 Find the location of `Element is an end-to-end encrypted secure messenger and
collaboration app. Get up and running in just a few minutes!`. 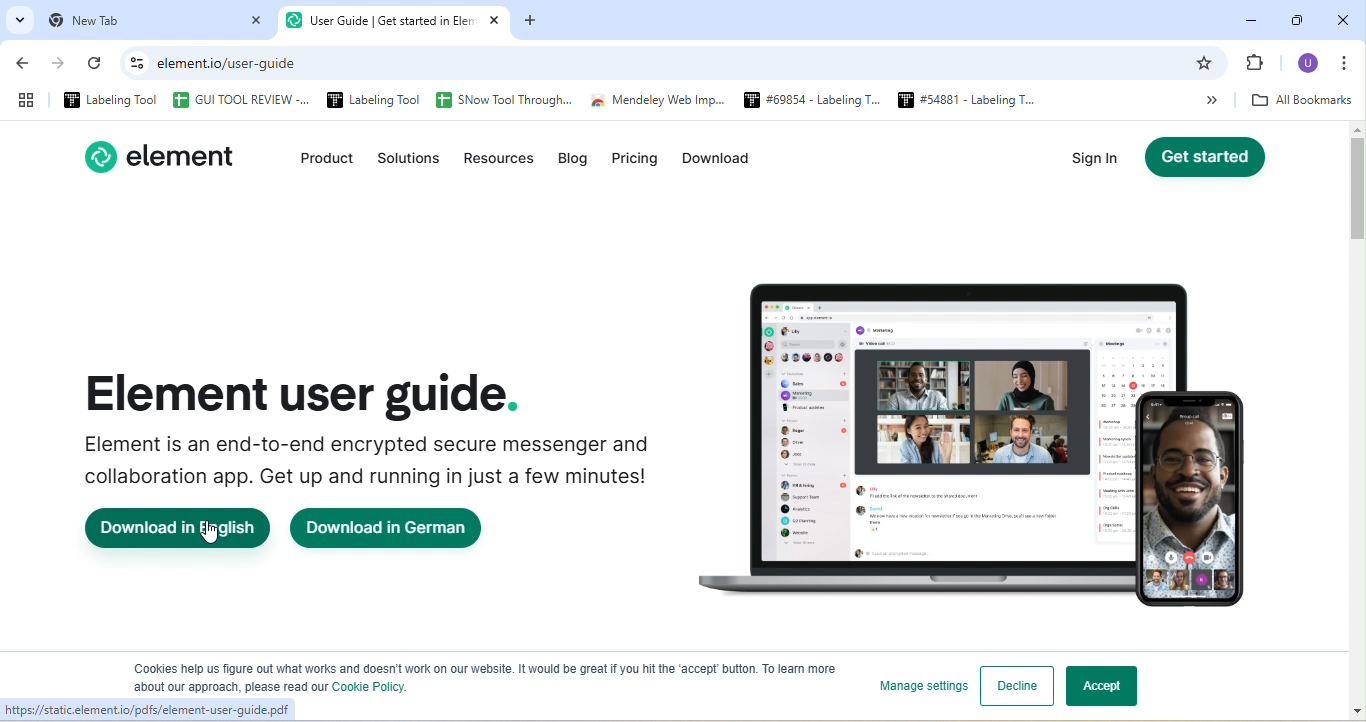

Element is an end-to-end encrypted secure messenger and
collaboration app. Get up and running in just a few minutes! is located at coordinates (366, 460).